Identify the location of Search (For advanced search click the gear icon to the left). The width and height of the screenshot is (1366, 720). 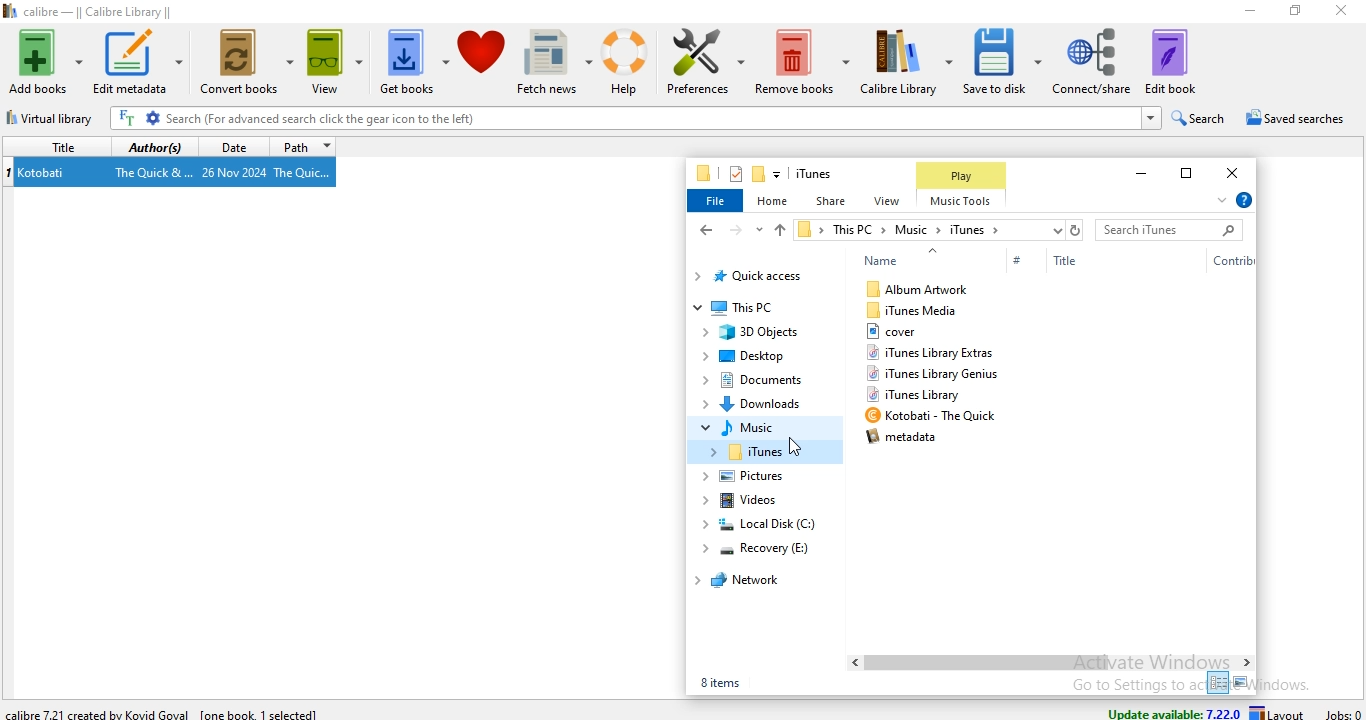
(635, 118).